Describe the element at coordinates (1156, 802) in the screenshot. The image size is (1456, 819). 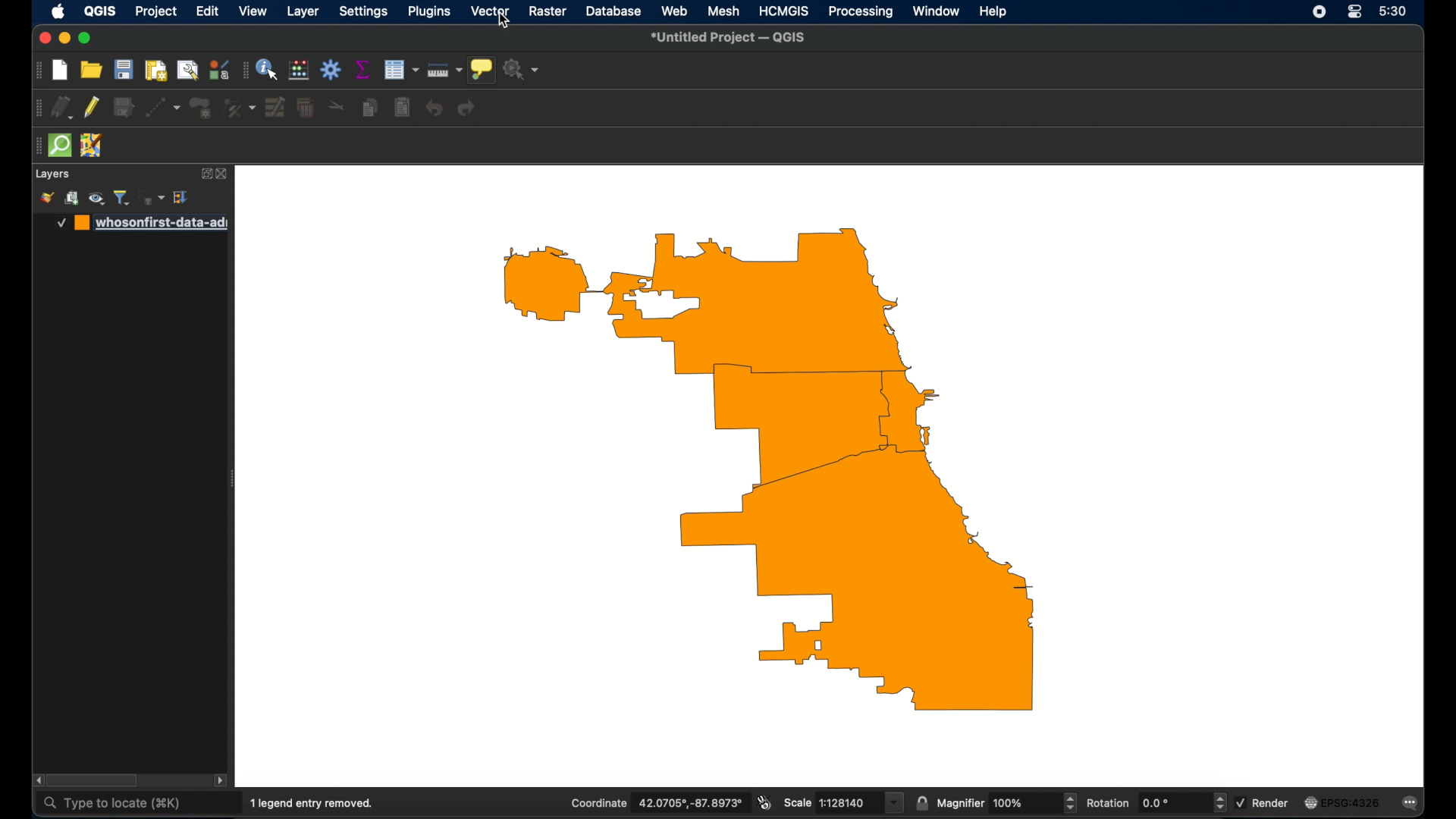
I see `rotation` at that location.